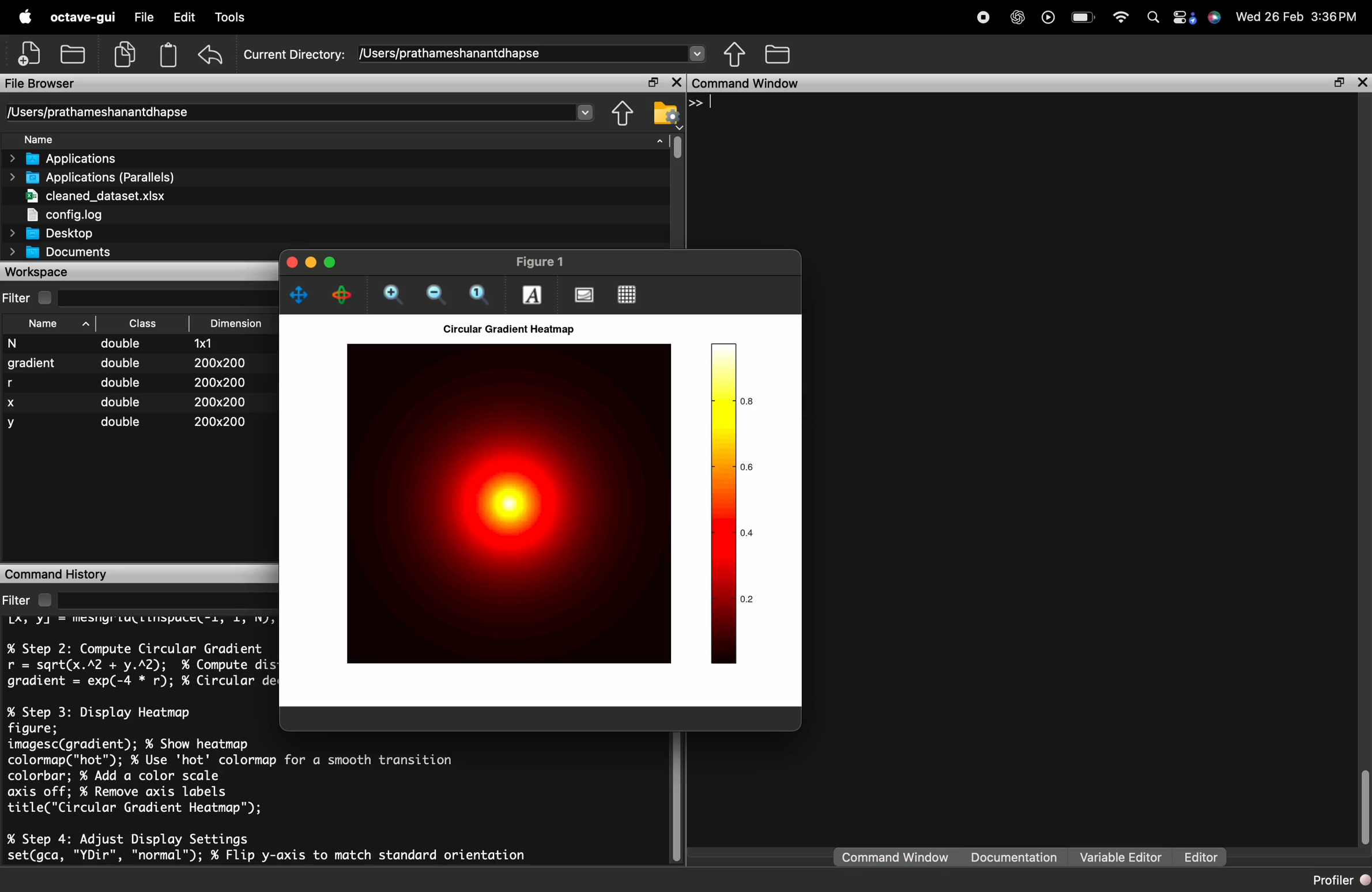  I want to click on 200x200, so click(219, 422).